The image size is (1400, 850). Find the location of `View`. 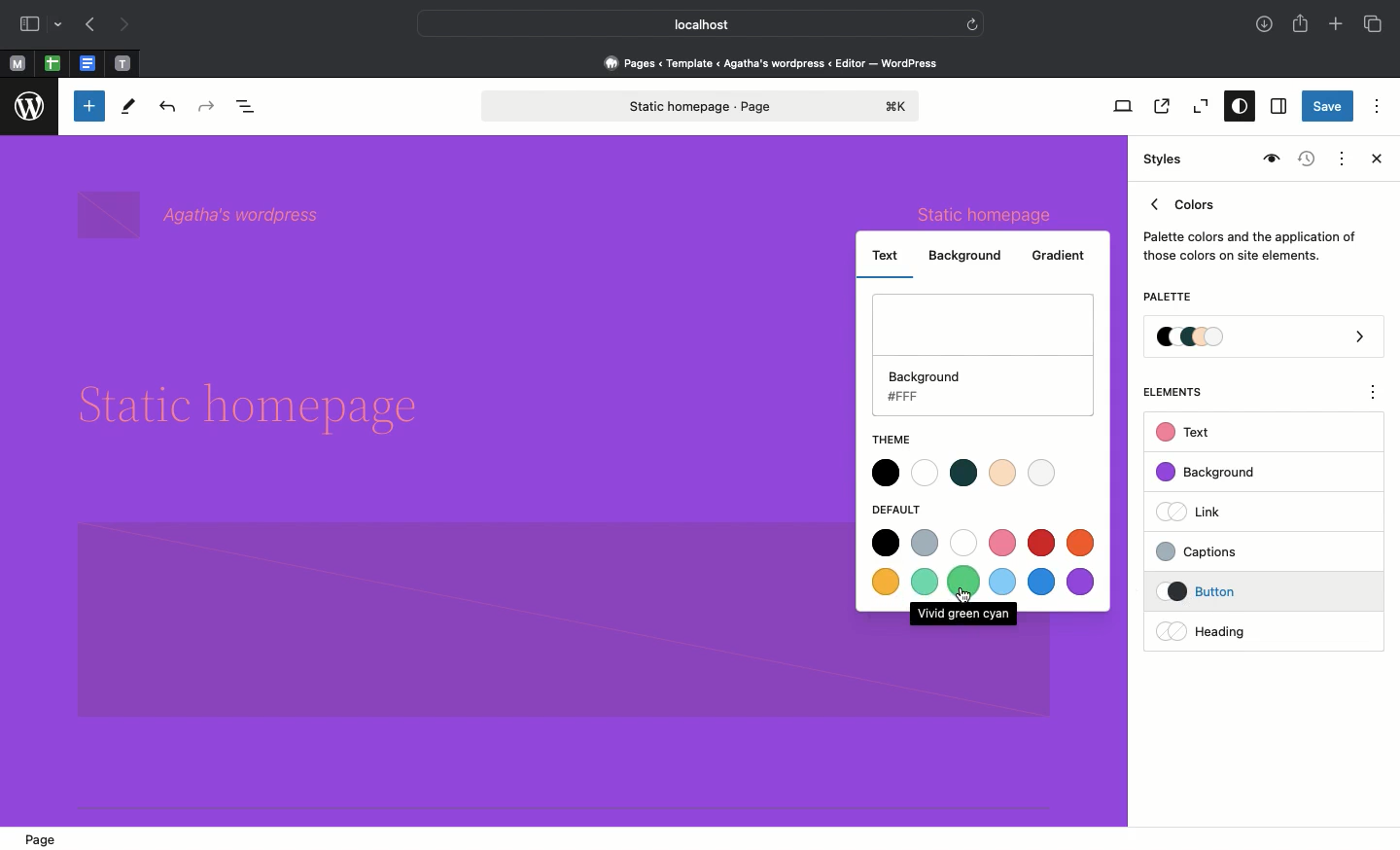

View is located at coordinates (1119, 106).